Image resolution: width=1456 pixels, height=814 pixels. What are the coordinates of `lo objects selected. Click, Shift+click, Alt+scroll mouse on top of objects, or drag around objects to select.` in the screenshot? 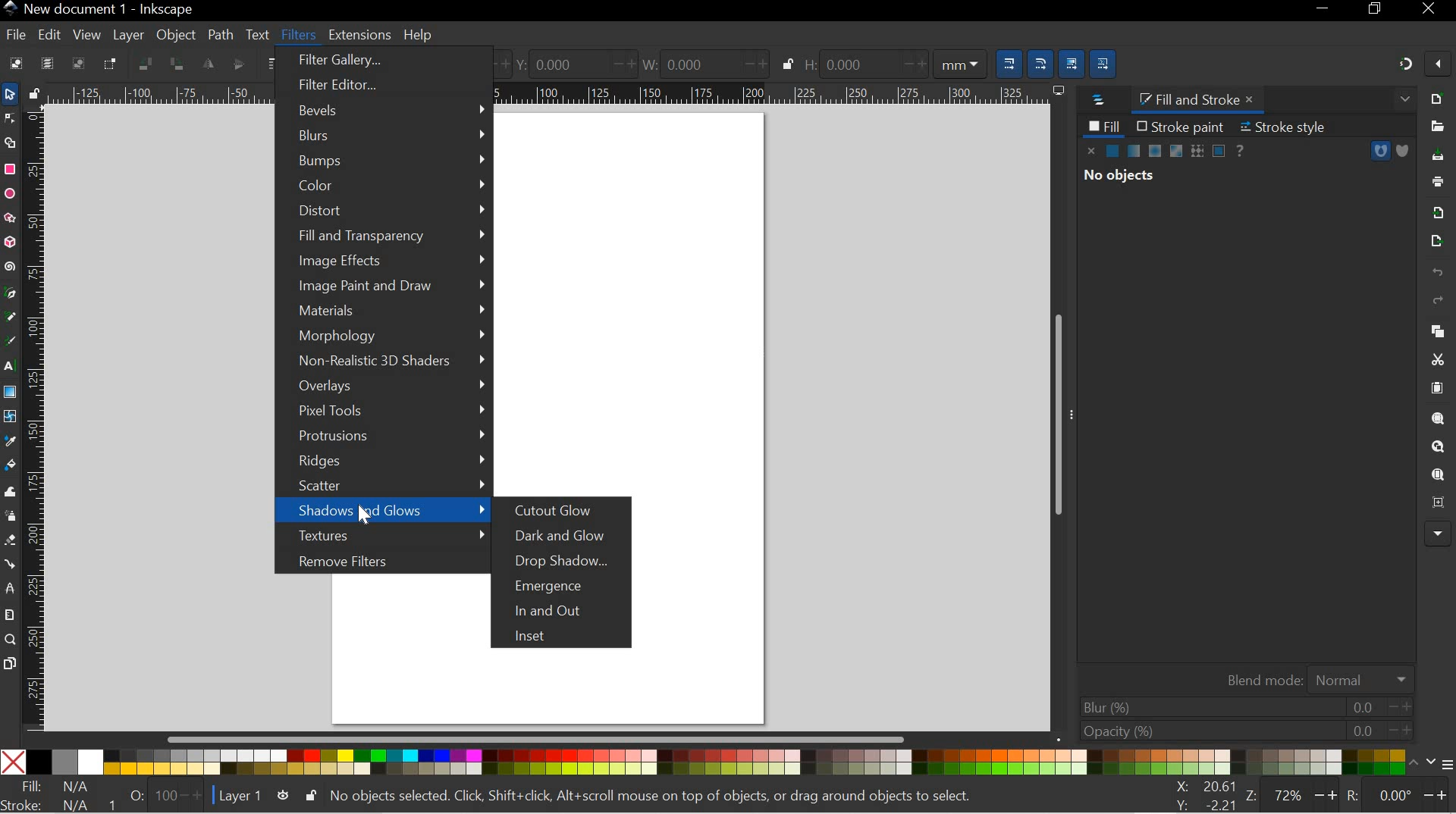 It's located at (656, 797).